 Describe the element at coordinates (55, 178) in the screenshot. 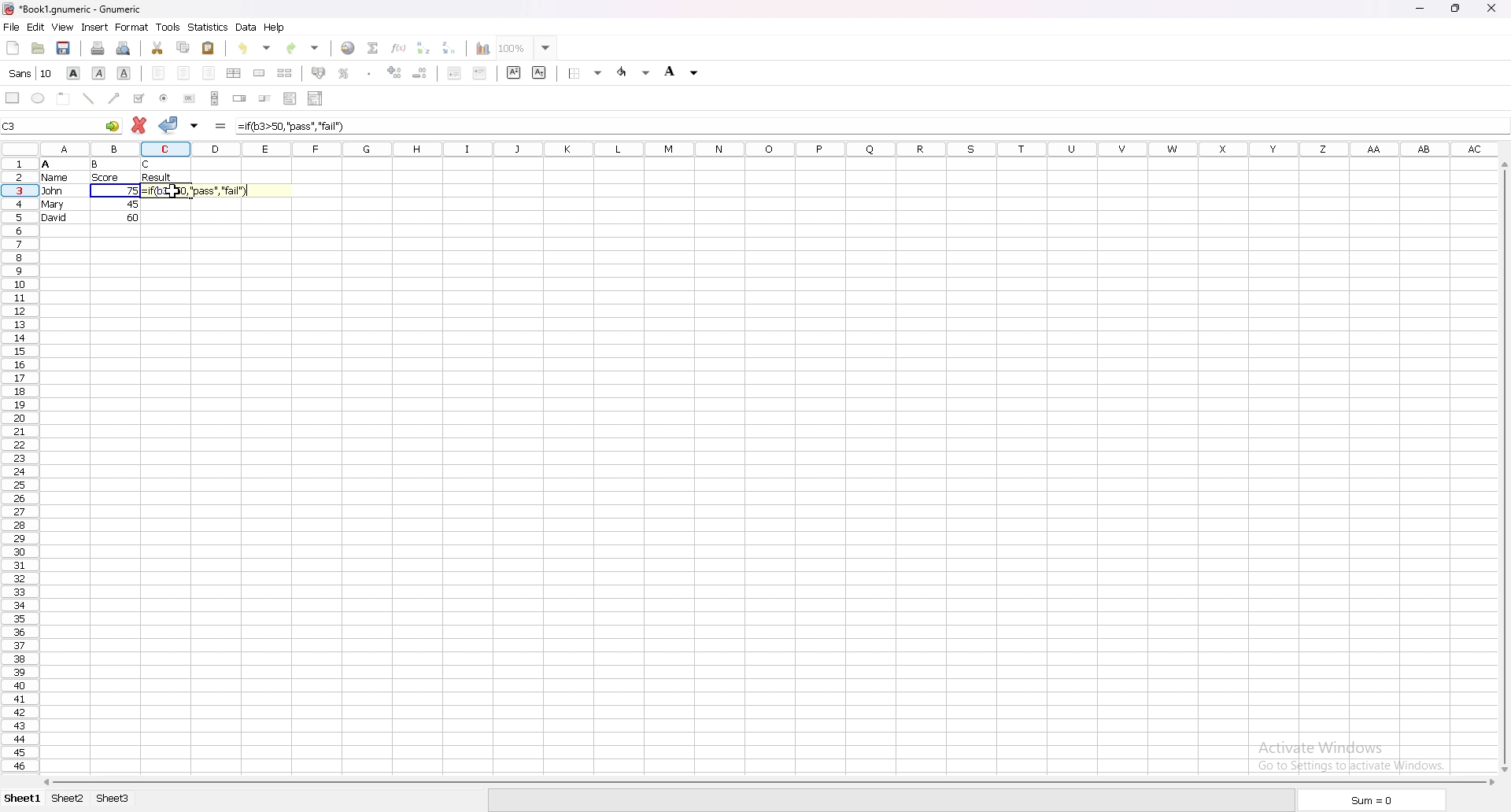

I see `name` at that location.